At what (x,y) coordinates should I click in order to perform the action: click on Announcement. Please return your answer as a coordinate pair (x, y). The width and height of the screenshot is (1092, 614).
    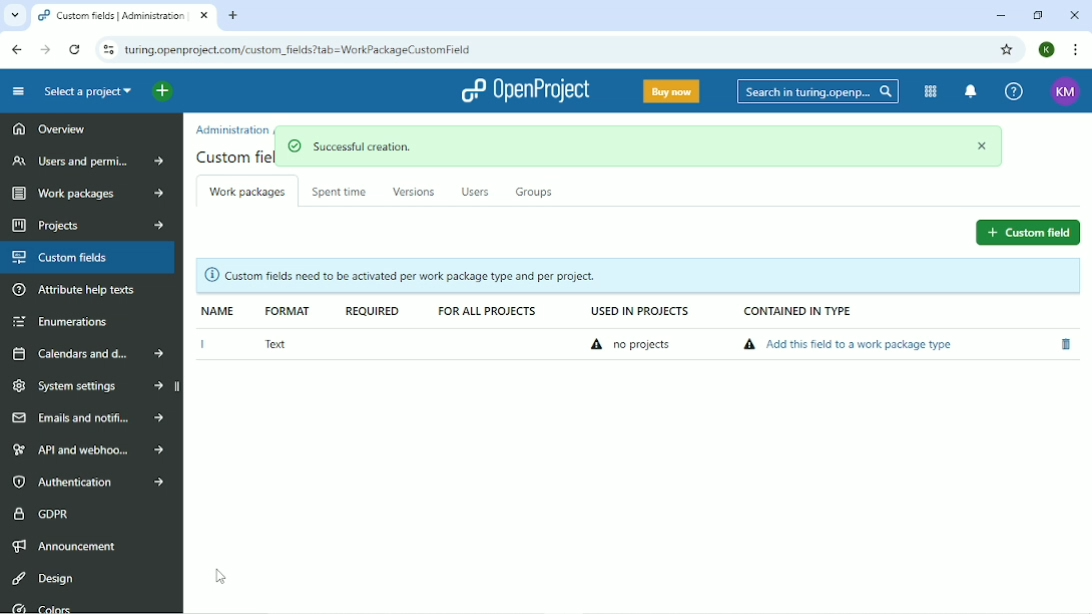
    Looking at the image, I should click on (66, 545).